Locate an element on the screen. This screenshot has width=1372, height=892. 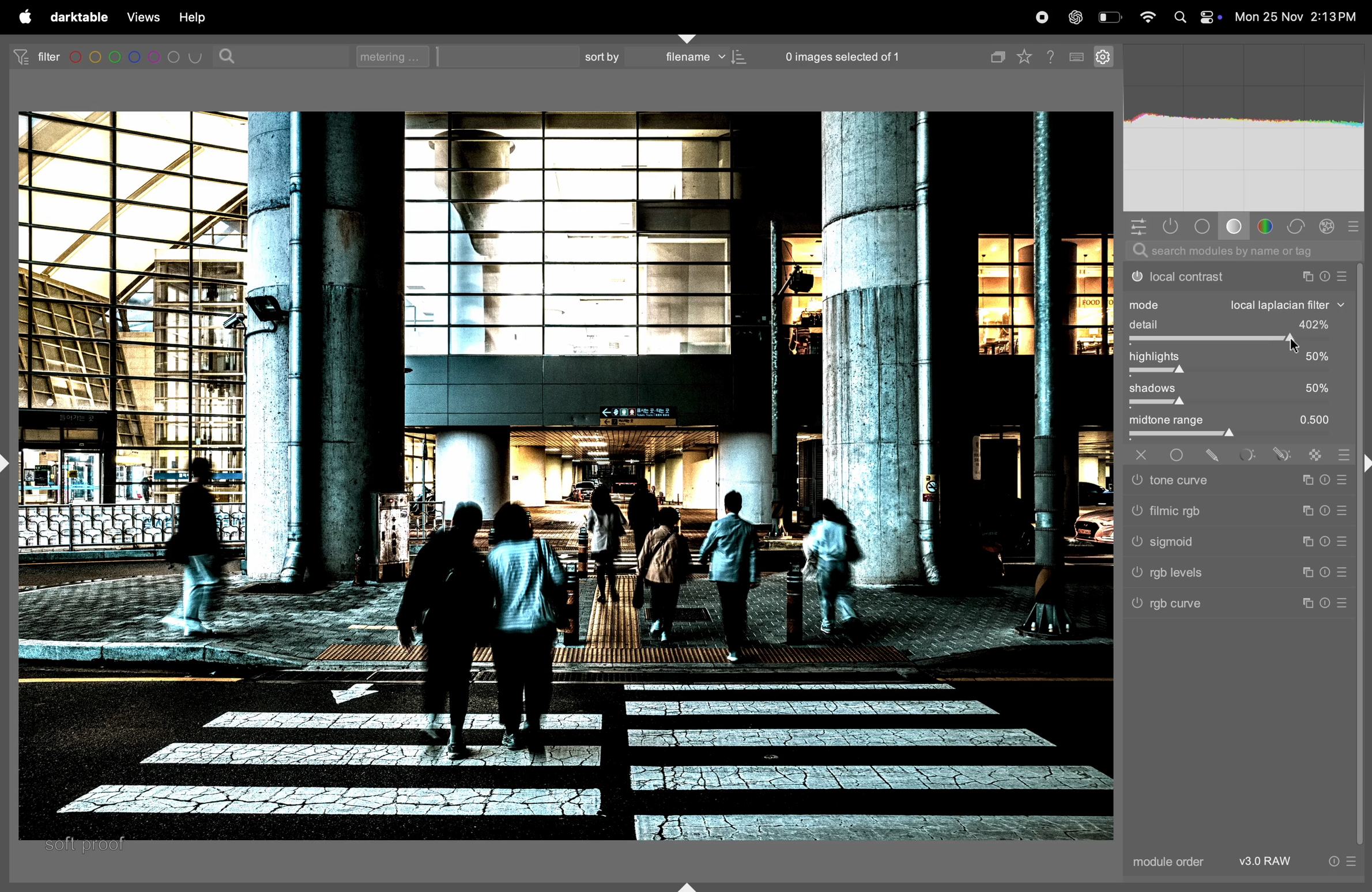
effect is located at coordinates (1327, 225).